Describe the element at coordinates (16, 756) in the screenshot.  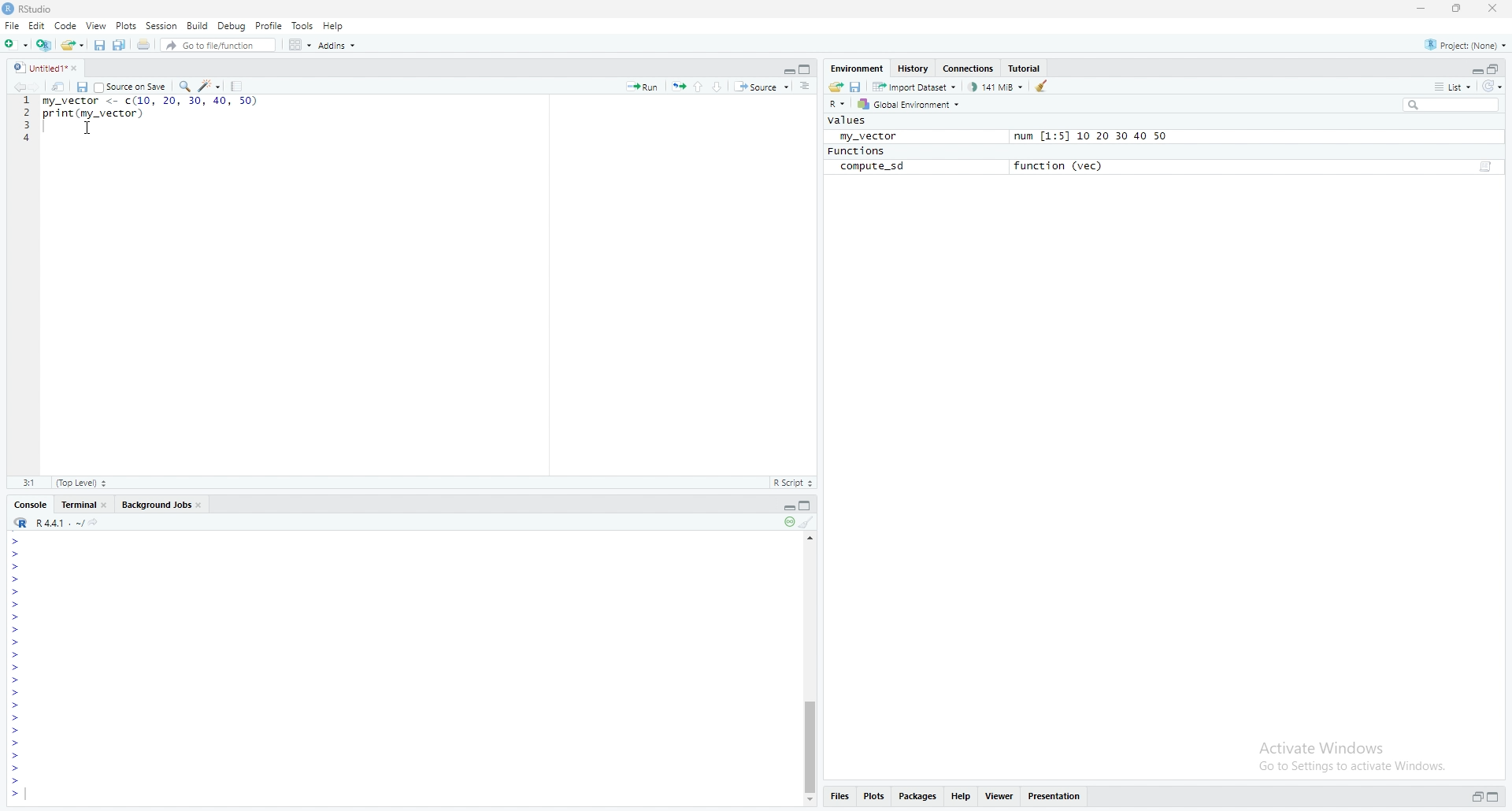
I see `Prompt cursor` at that location.